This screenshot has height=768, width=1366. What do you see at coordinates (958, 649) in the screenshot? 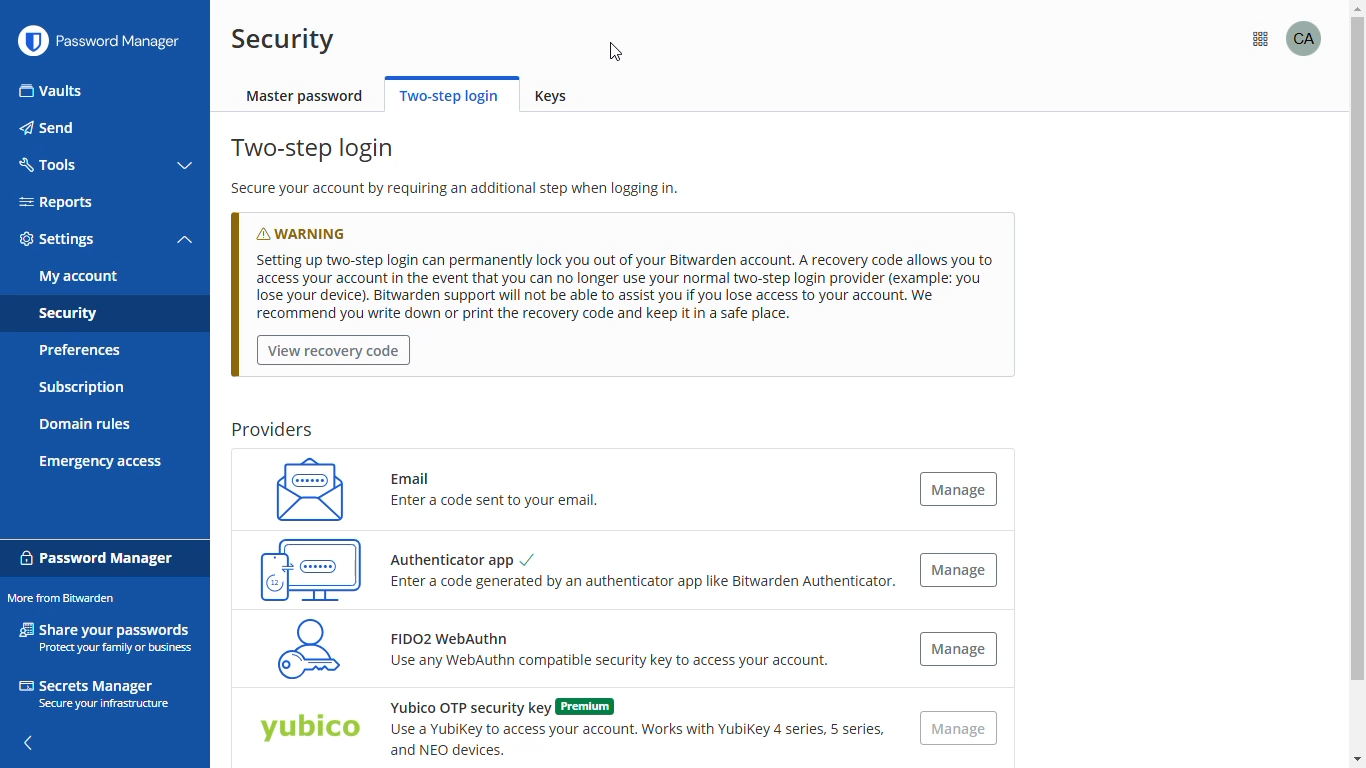
I see `manage` at bounding box center [958, 649].